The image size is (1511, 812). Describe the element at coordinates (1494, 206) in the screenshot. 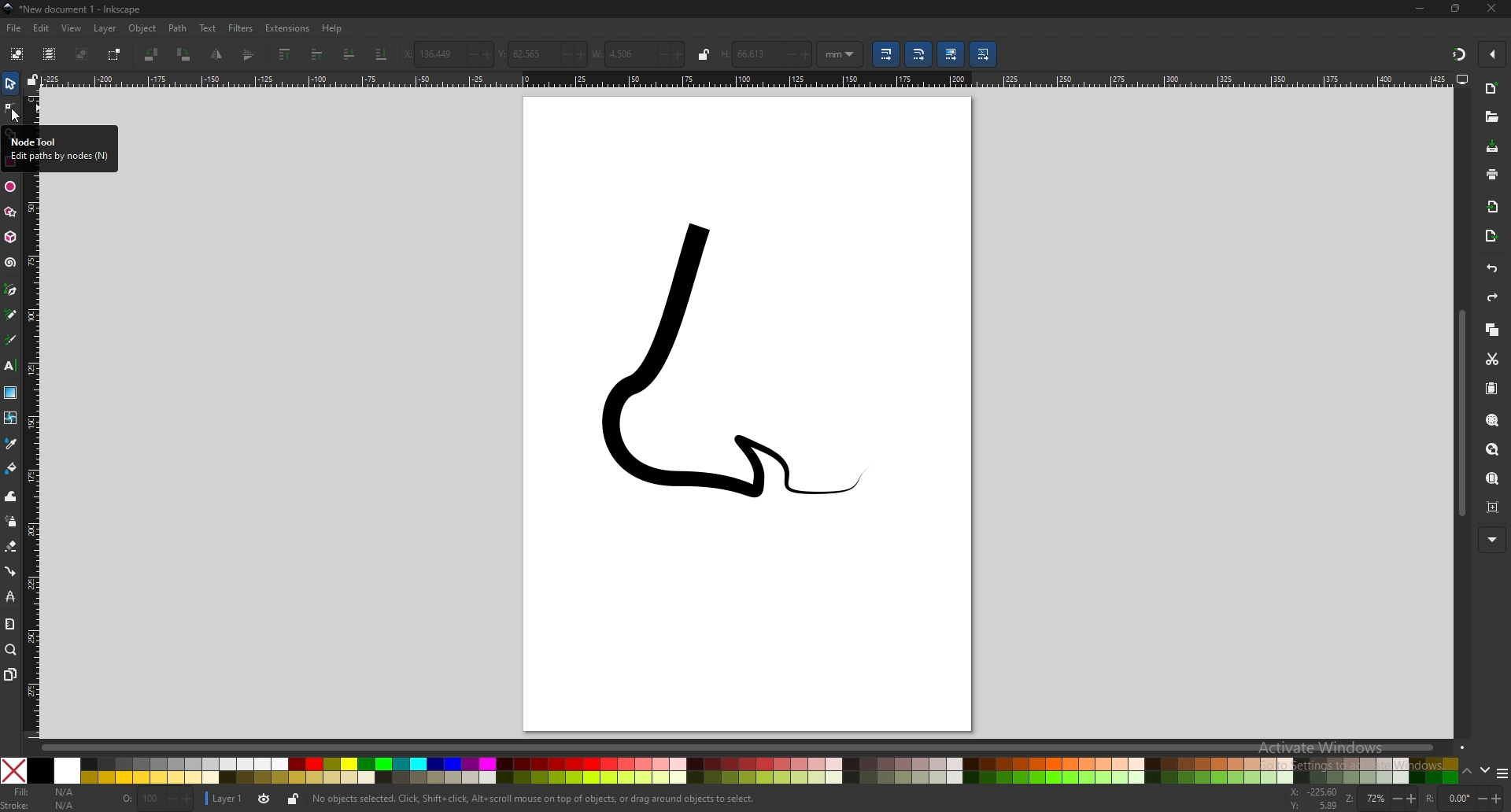

I see `import` at that location.